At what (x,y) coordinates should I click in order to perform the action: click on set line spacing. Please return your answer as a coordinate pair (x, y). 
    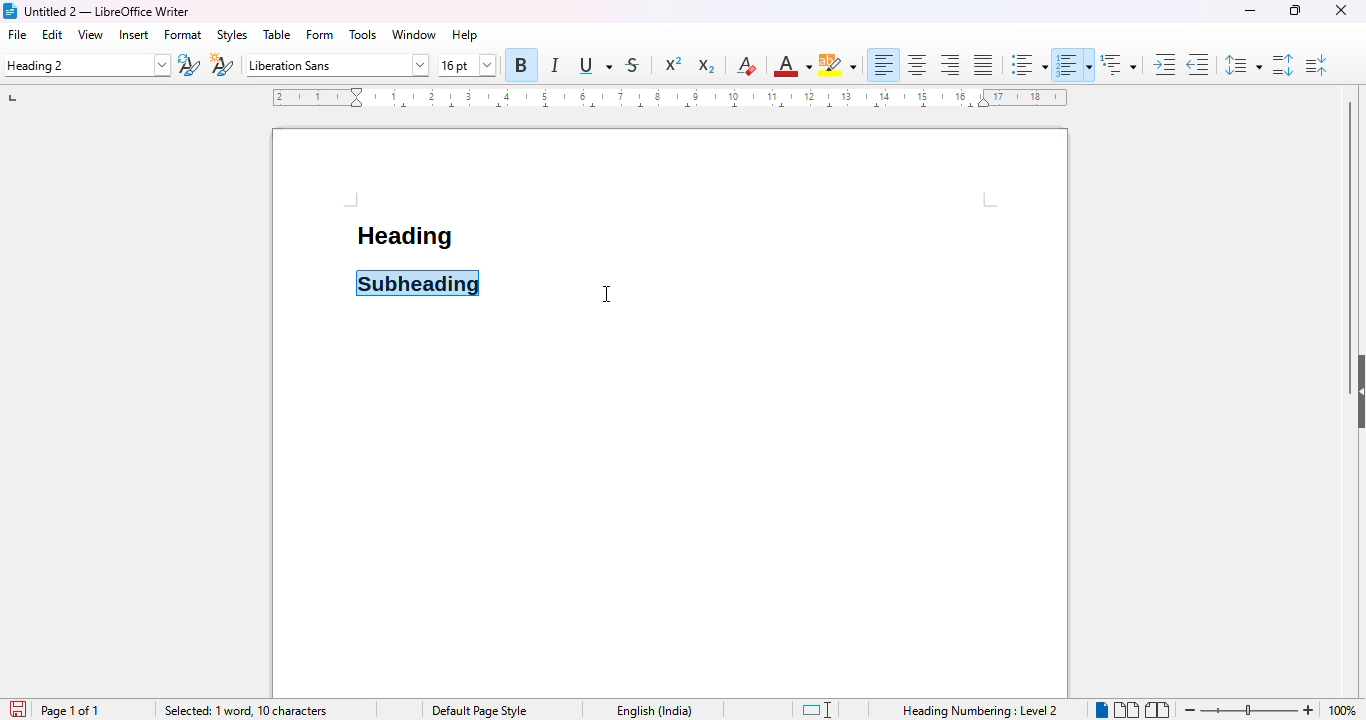
    Looking at the image, I should click on (1241, 65).